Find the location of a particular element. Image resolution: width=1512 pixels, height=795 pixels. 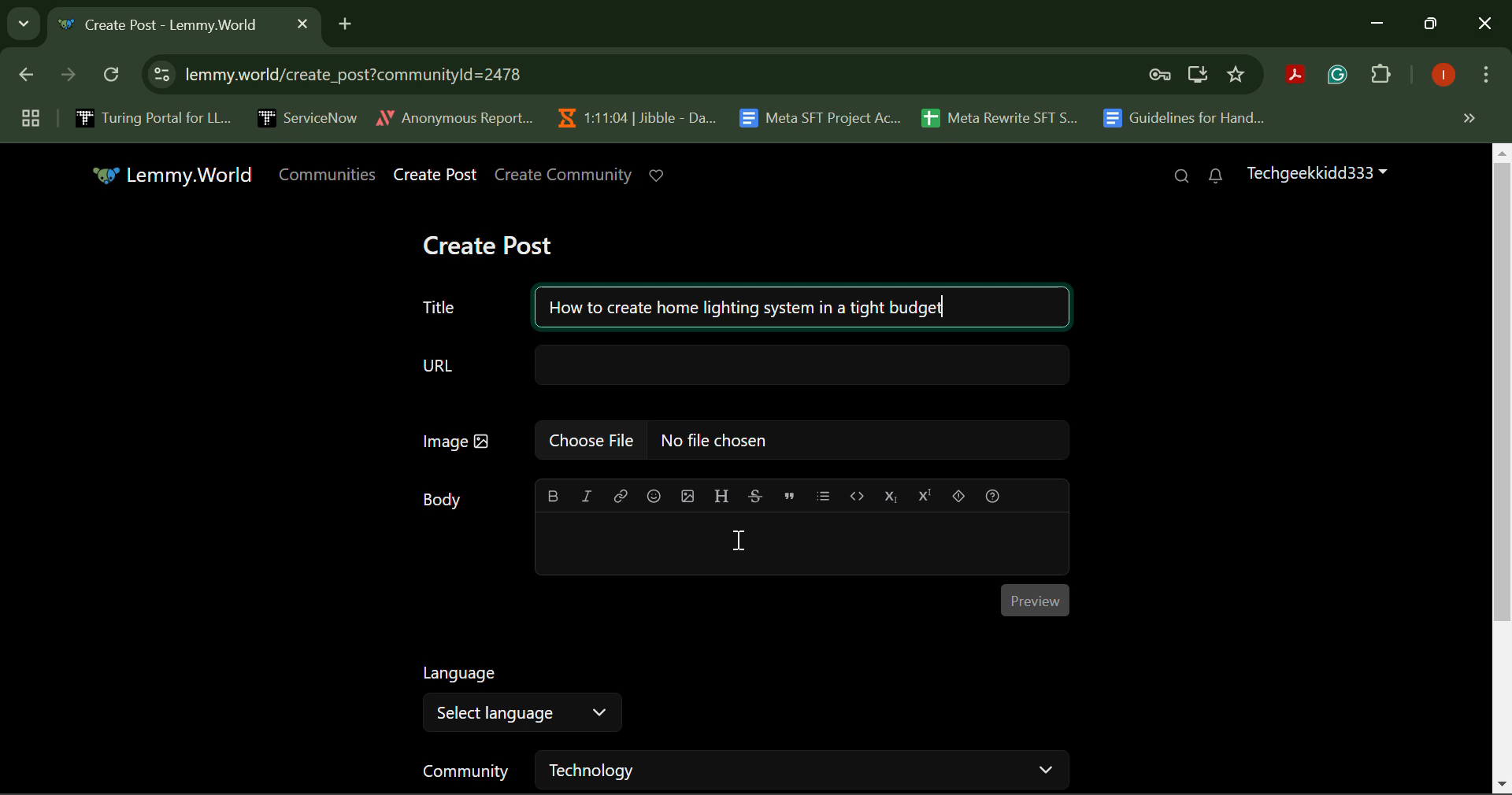

Lemmy.World is located at coordinates (176, 176).